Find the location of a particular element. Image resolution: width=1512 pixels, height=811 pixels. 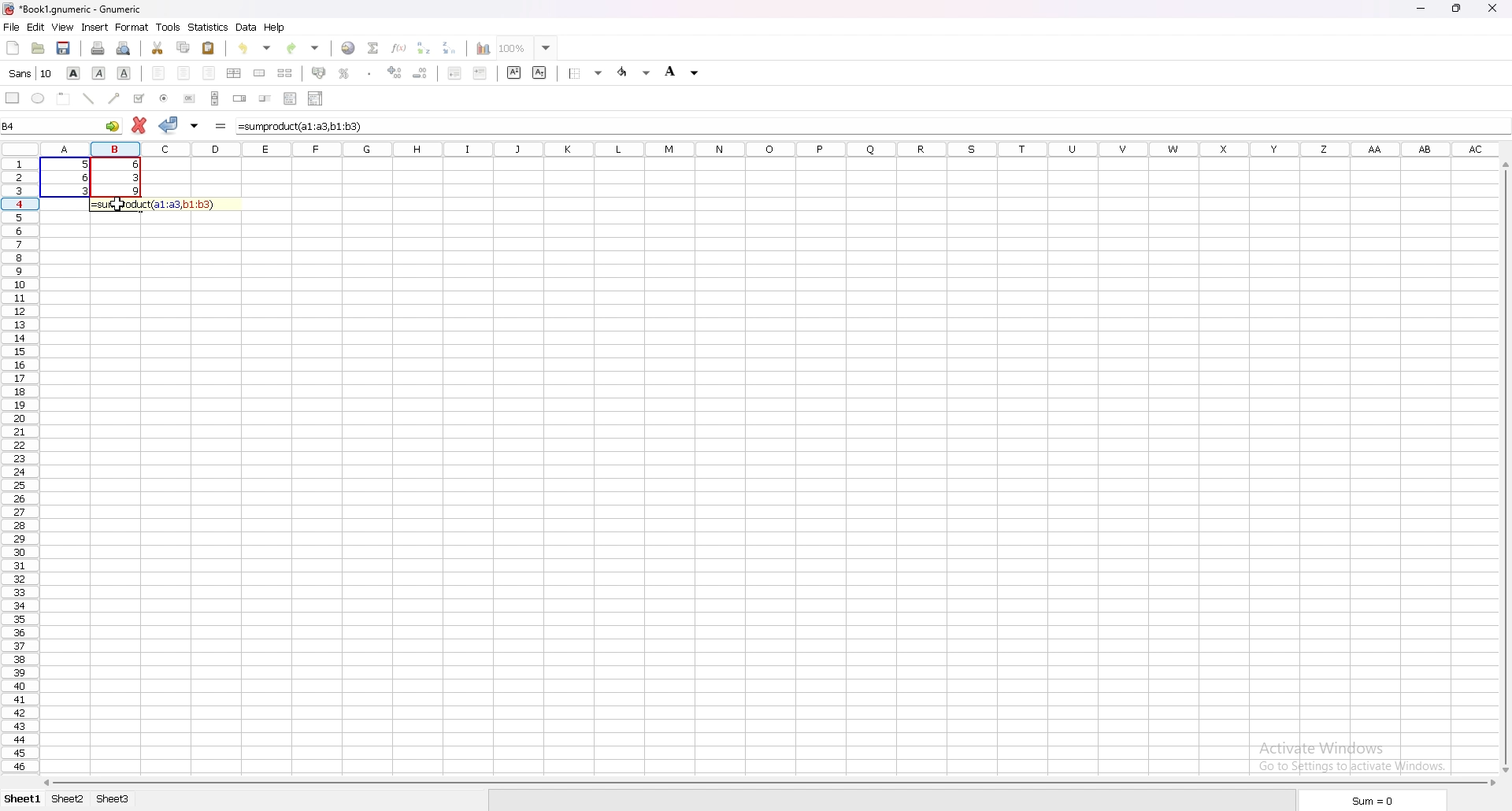

center is located at coordinates (185, 74).